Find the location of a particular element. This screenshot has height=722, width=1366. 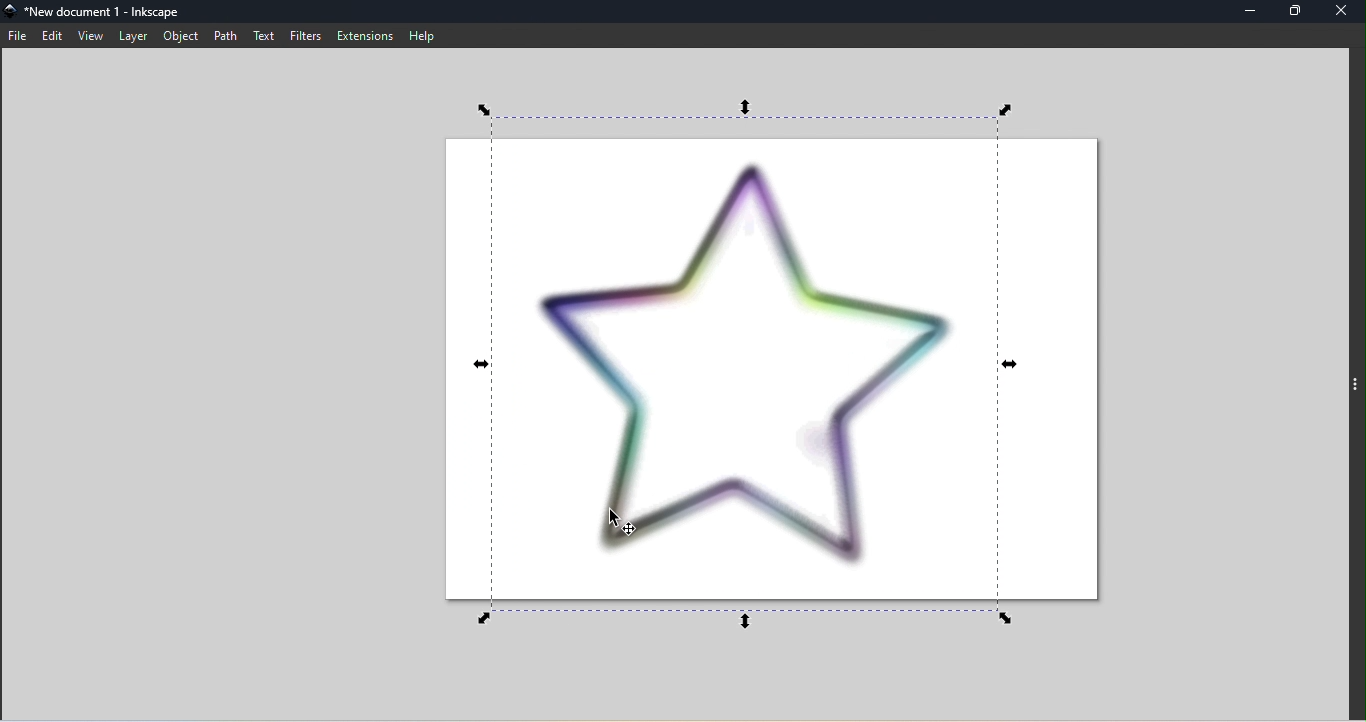

Filters is located at coordinates (301, 35).